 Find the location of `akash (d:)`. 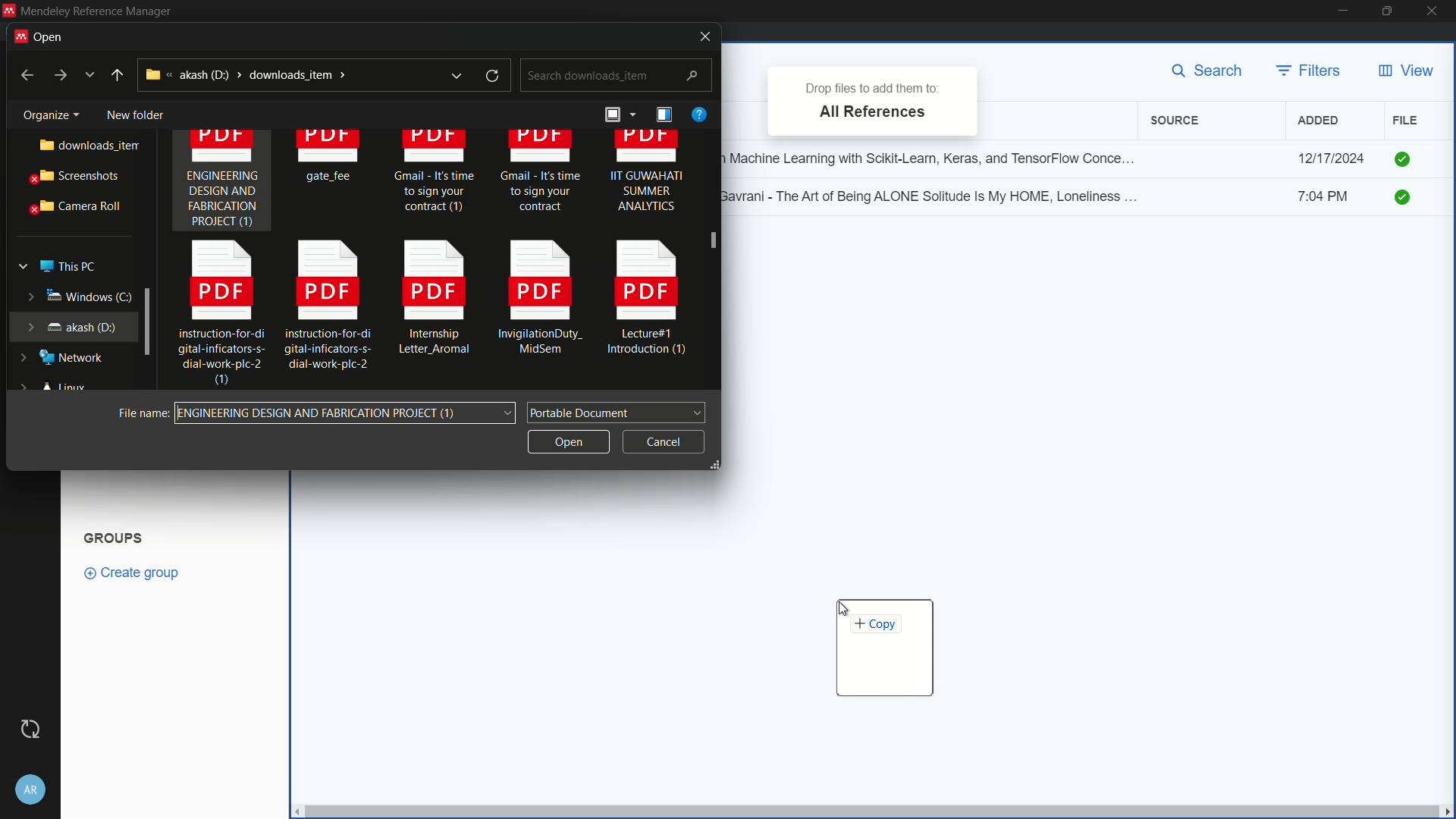

akash (d:) is located at coordinates (71, 325).